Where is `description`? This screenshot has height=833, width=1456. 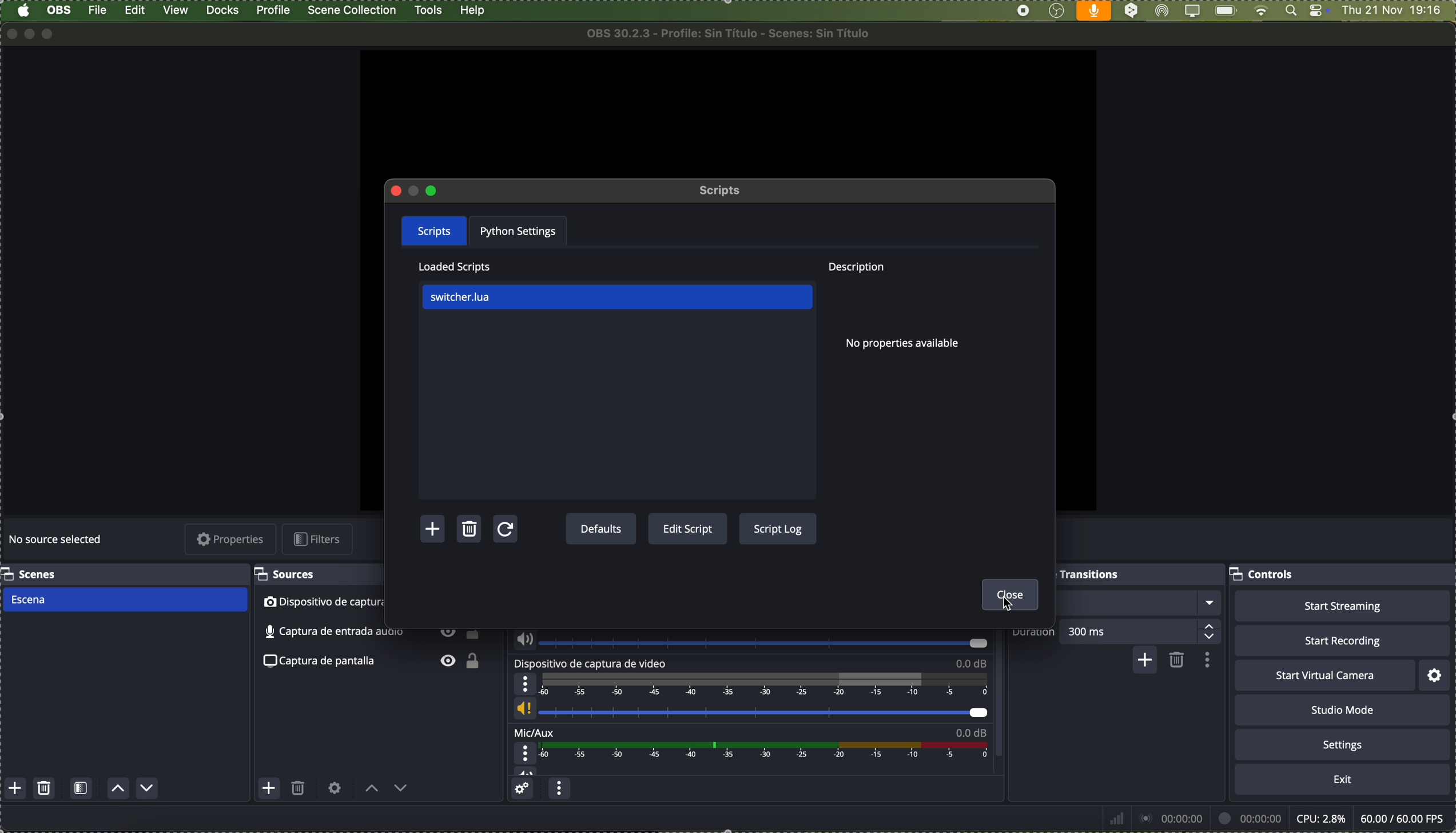
description is located at coordinates (854, 268).